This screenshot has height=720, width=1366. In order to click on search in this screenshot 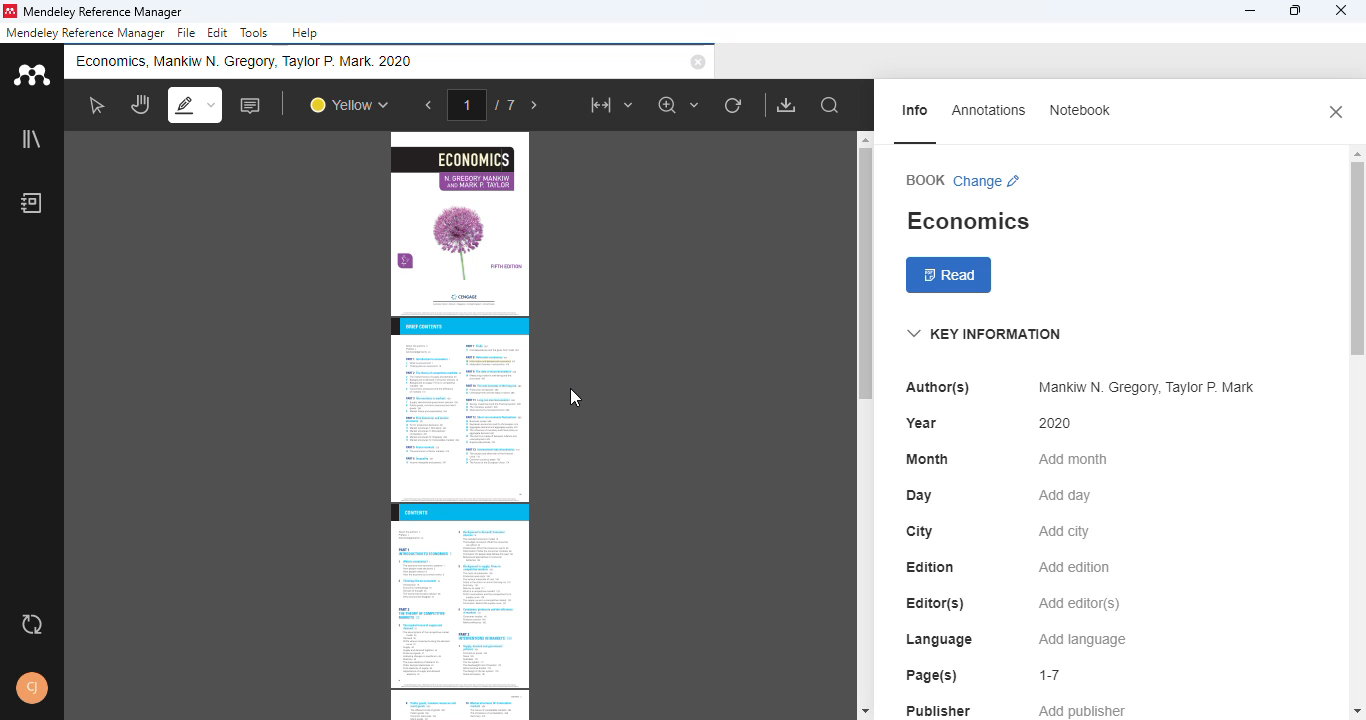, I will do `click(831, 106)`.